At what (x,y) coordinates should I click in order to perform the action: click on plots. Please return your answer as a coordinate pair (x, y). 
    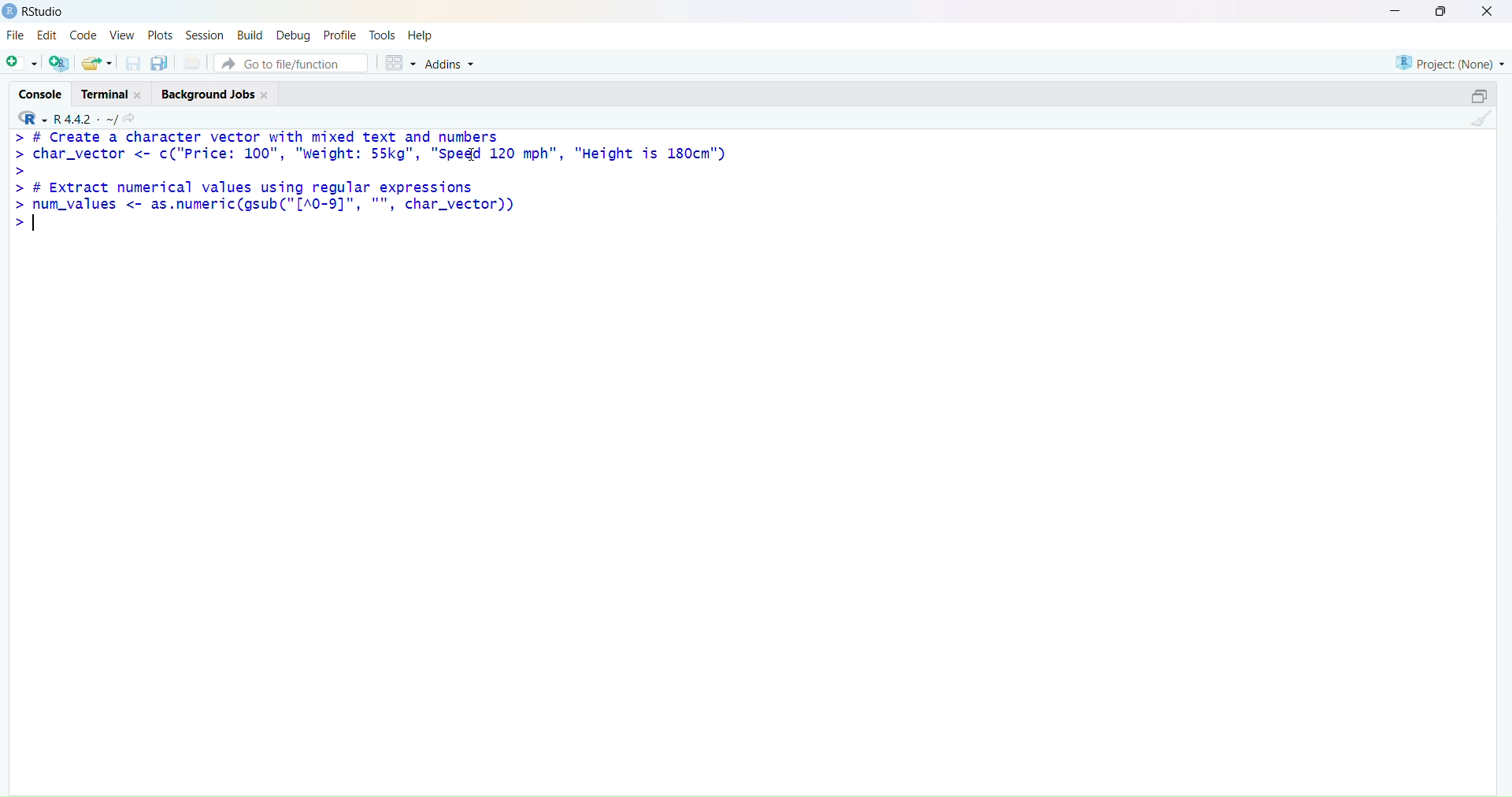
    Looking at the image, I should click on (161, 36).